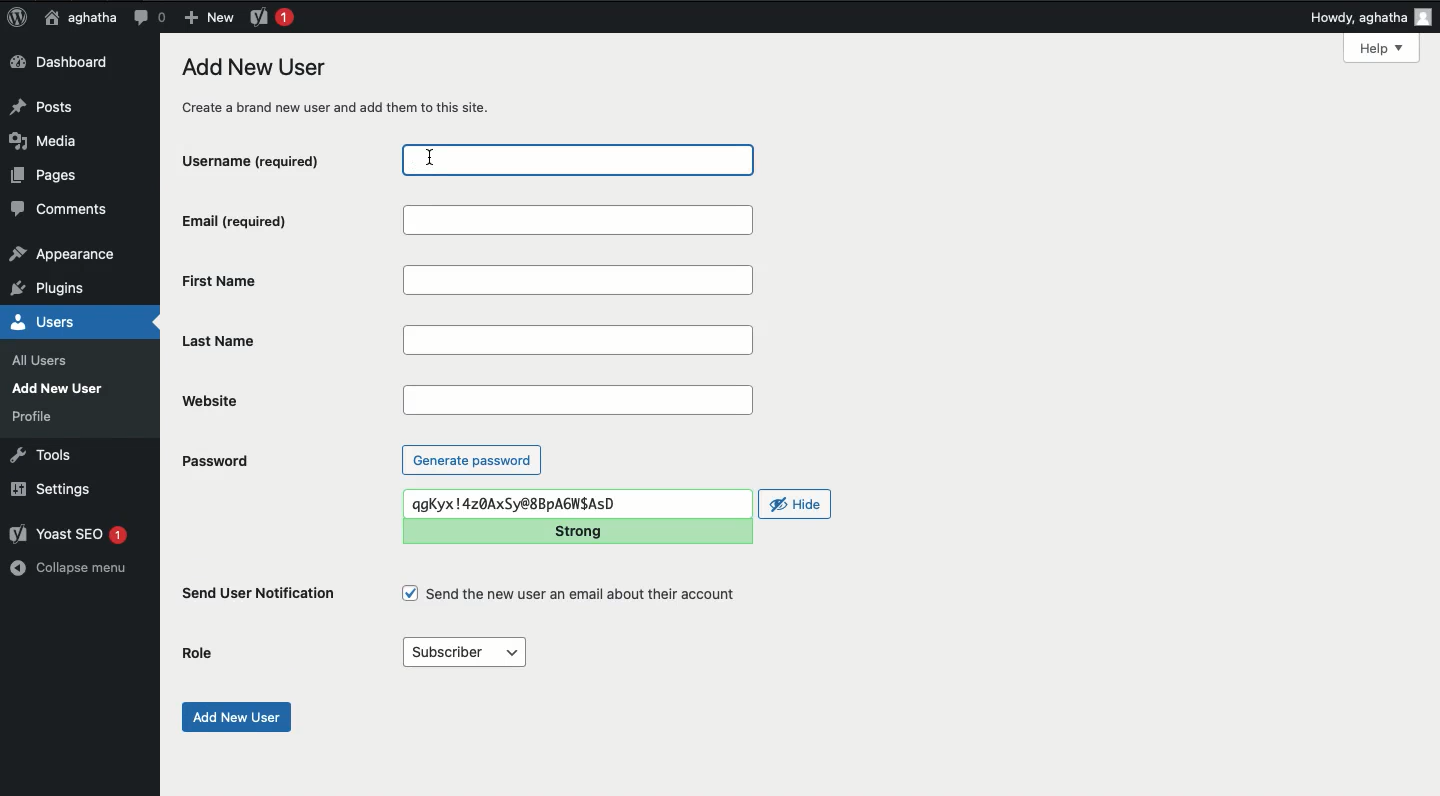 Image resolution: width=1440 pixels, height=796 pixels. What do you see at coordinates (583, 281) in the screenshot?
I see `First name` at bounding box center [583, 281].